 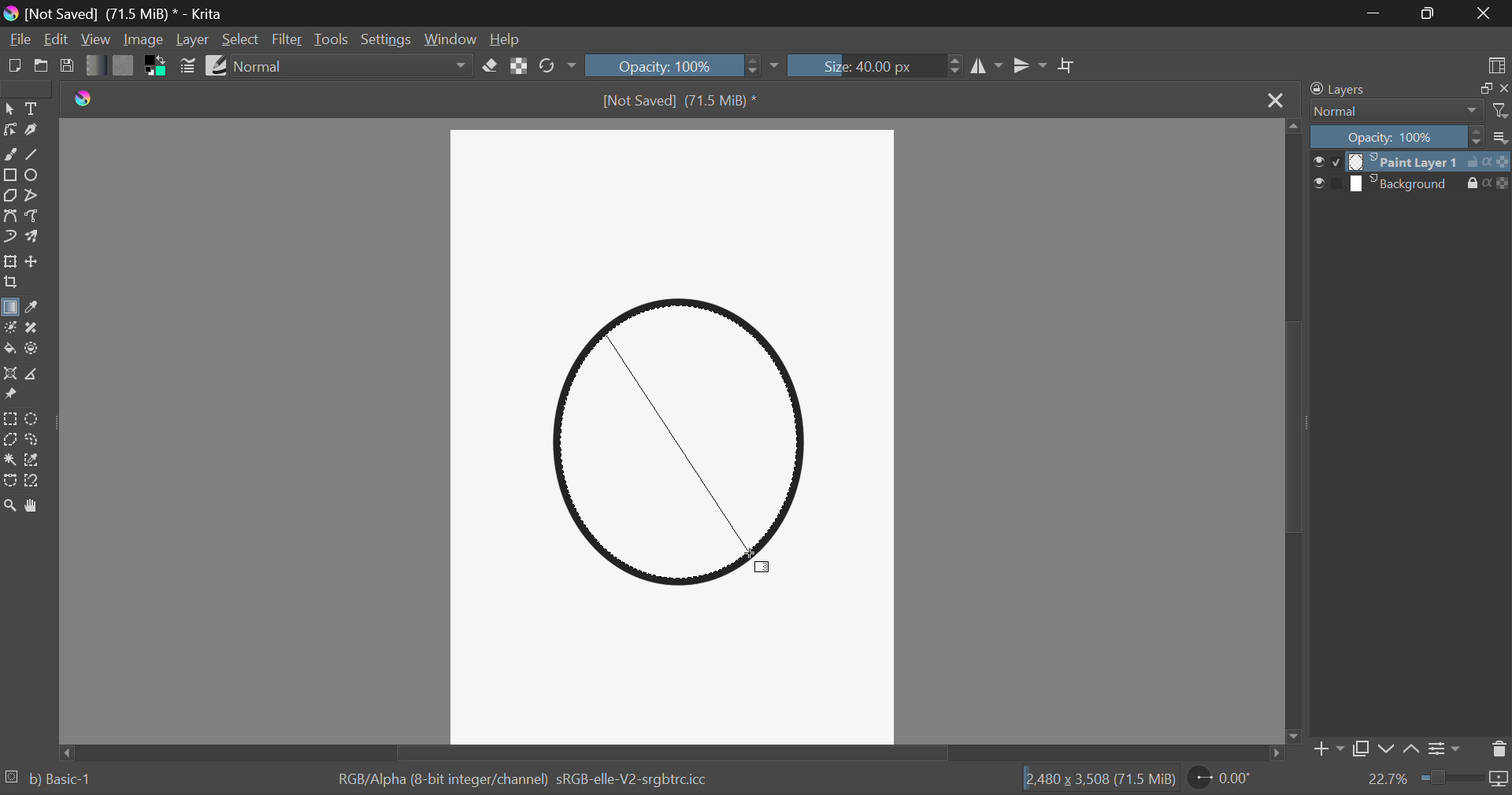 What do you see at coordinates (14, 15) in the screenshot?
I see `logo` at bounding box center [14, 15].